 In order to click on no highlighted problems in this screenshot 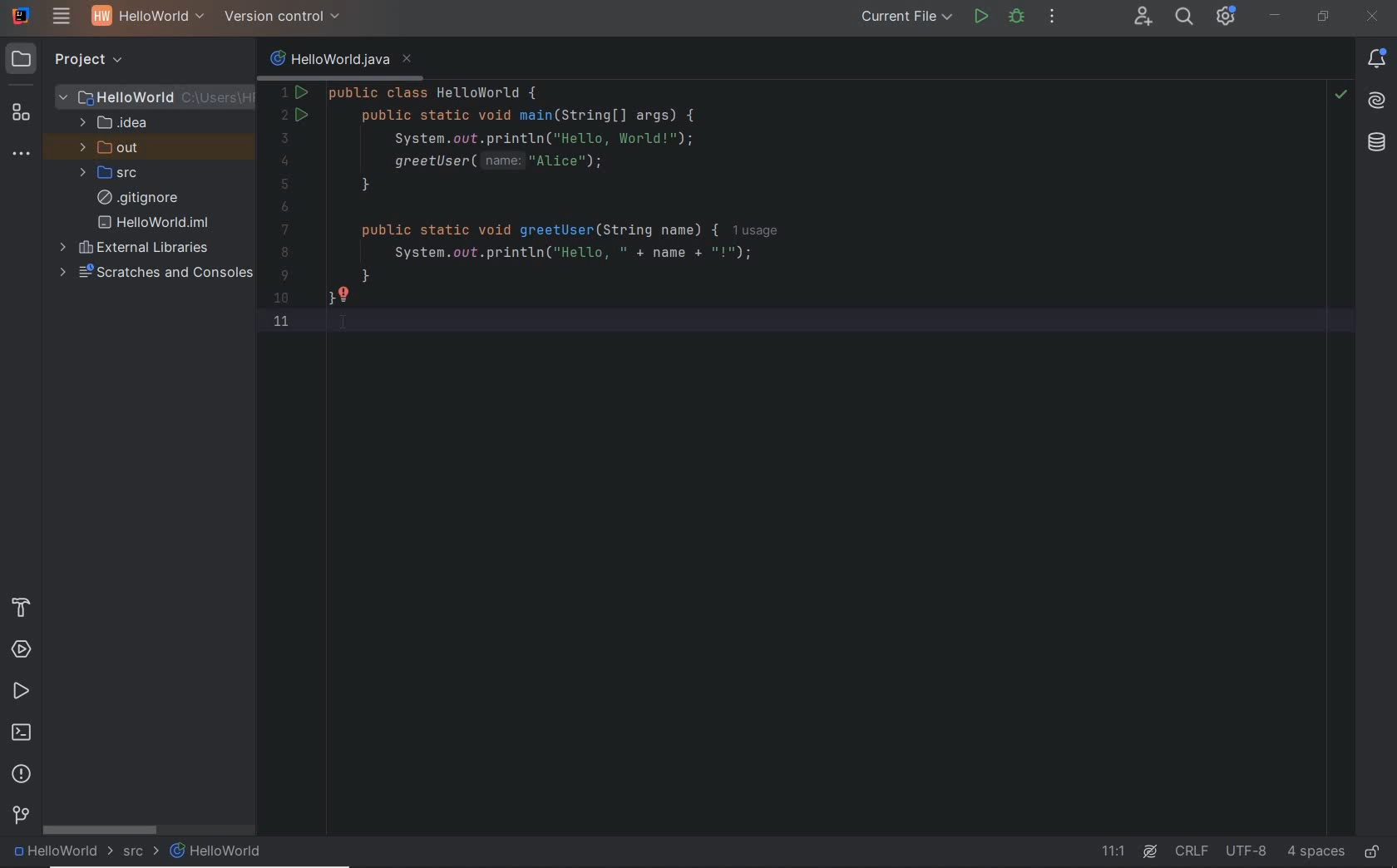, I will do `click(1339, 95)`.